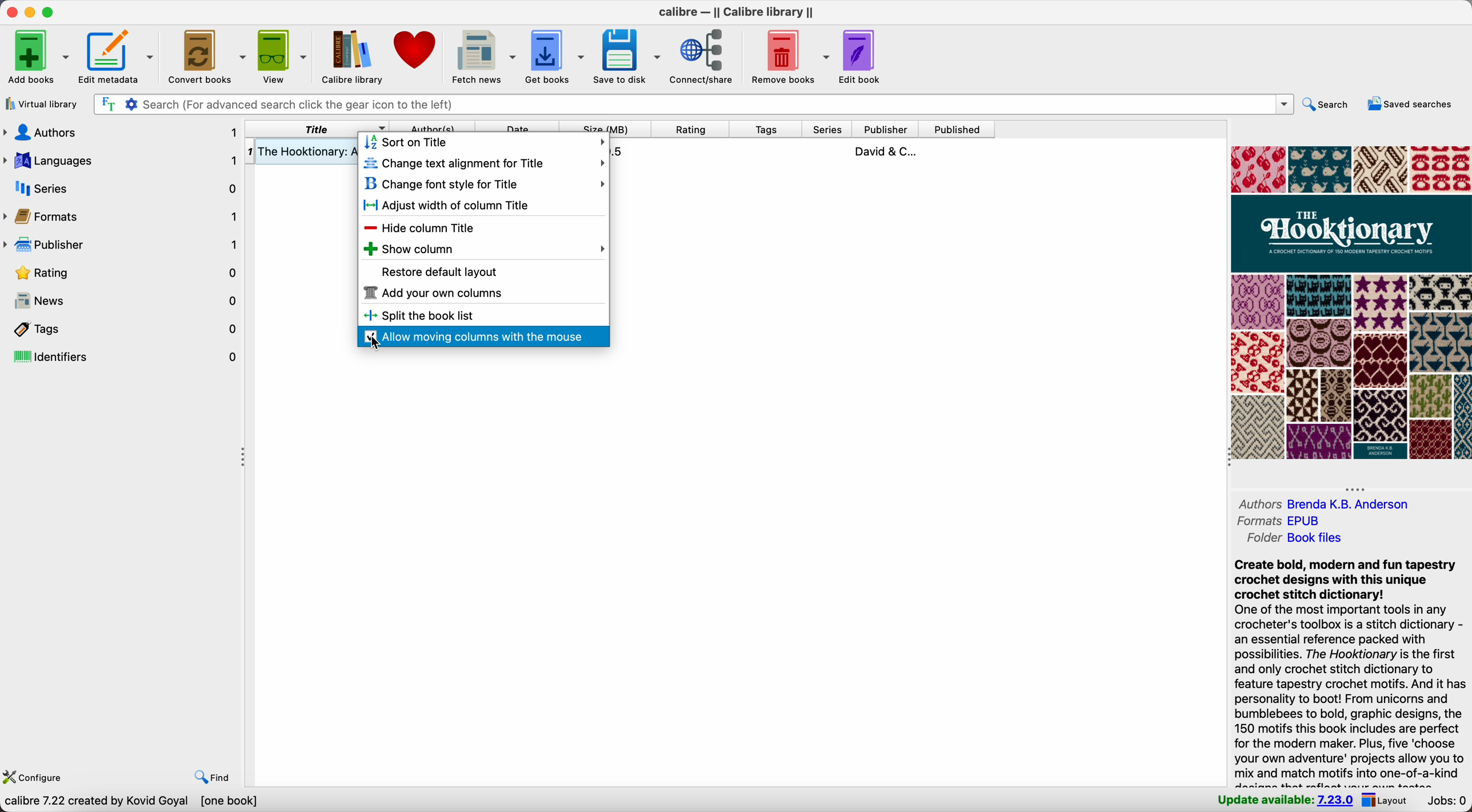 This screenshot has width=1472, height=812. I want to click on edit metadata, so click(116, 57).